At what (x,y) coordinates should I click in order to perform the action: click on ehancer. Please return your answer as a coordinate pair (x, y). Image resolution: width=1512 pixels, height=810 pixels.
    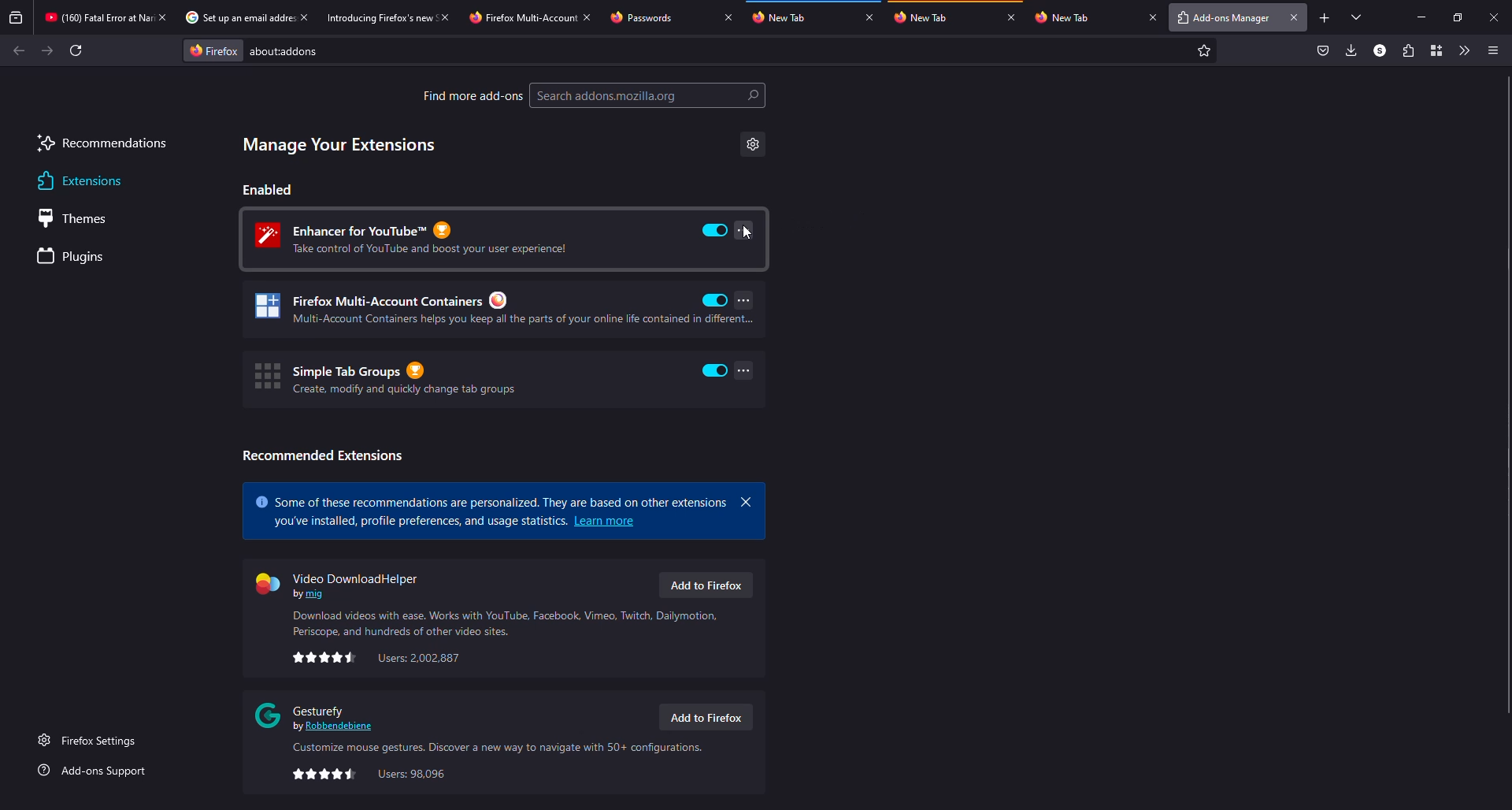
    Looking at the image, I should click on (421, 239).